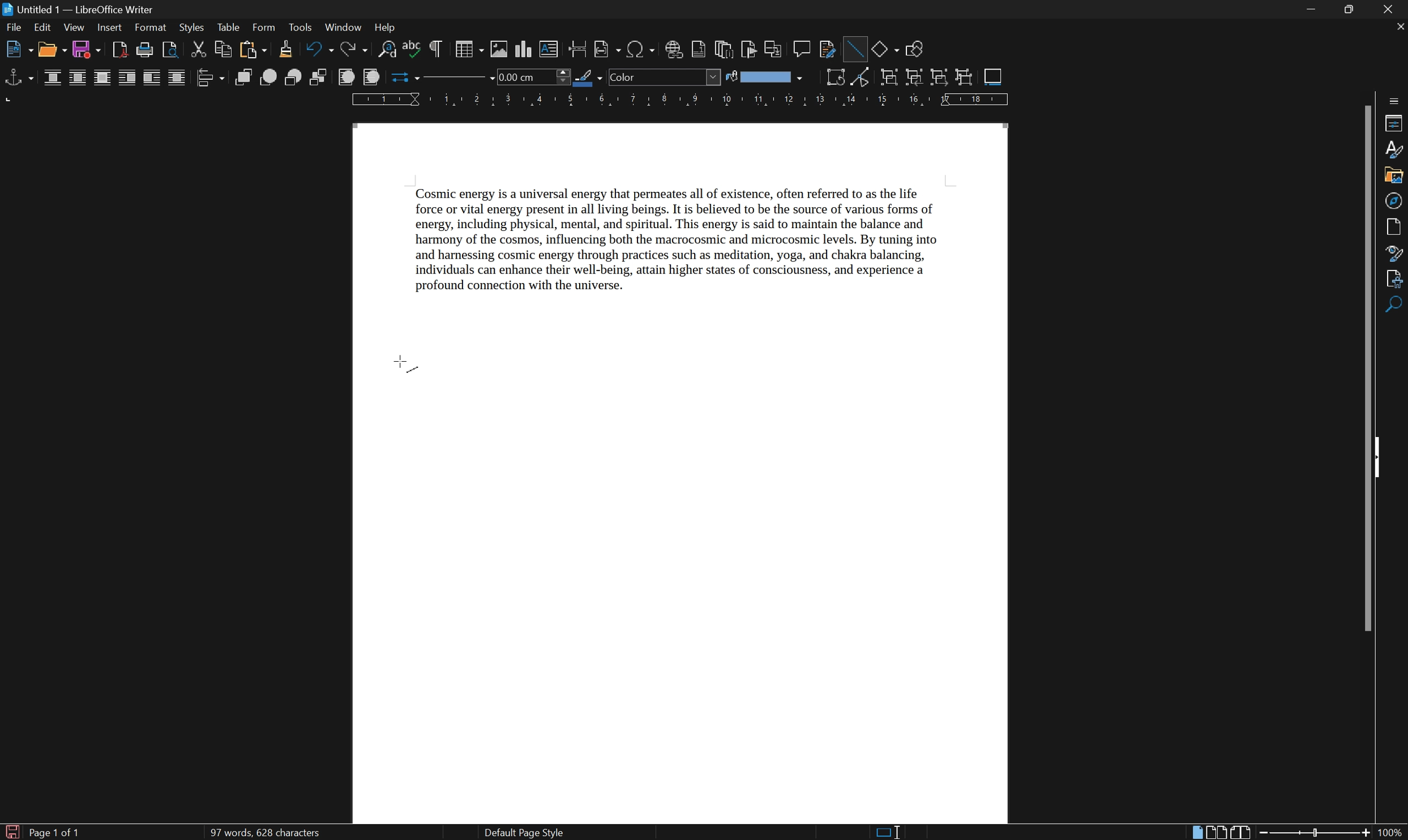  What do you see at coordinates (836, 77) in the screenshot?
I see `rotate` at bounding box center [836, 77].